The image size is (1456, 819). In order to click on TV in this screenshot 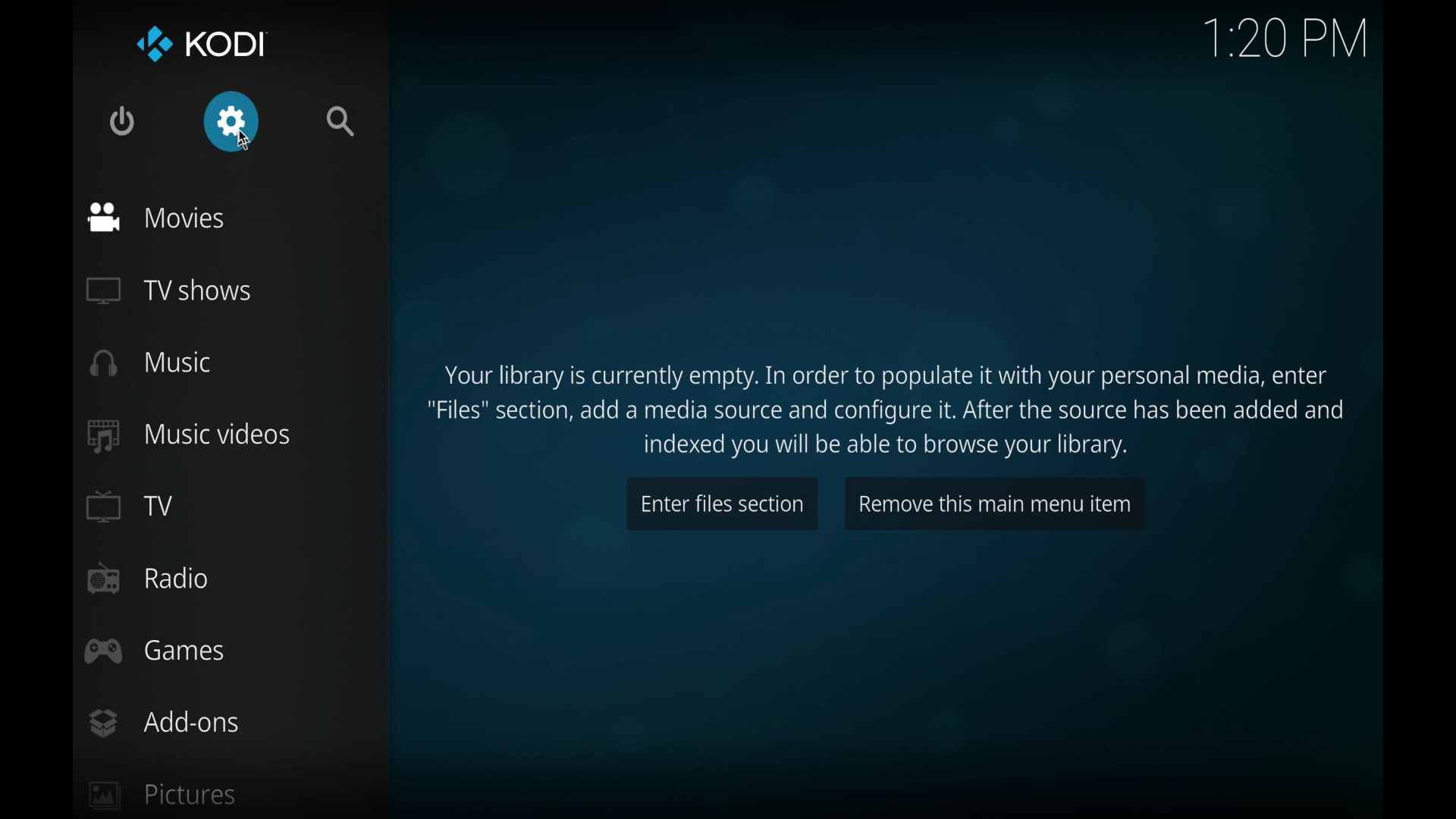, I will do `click(129, 506)`.